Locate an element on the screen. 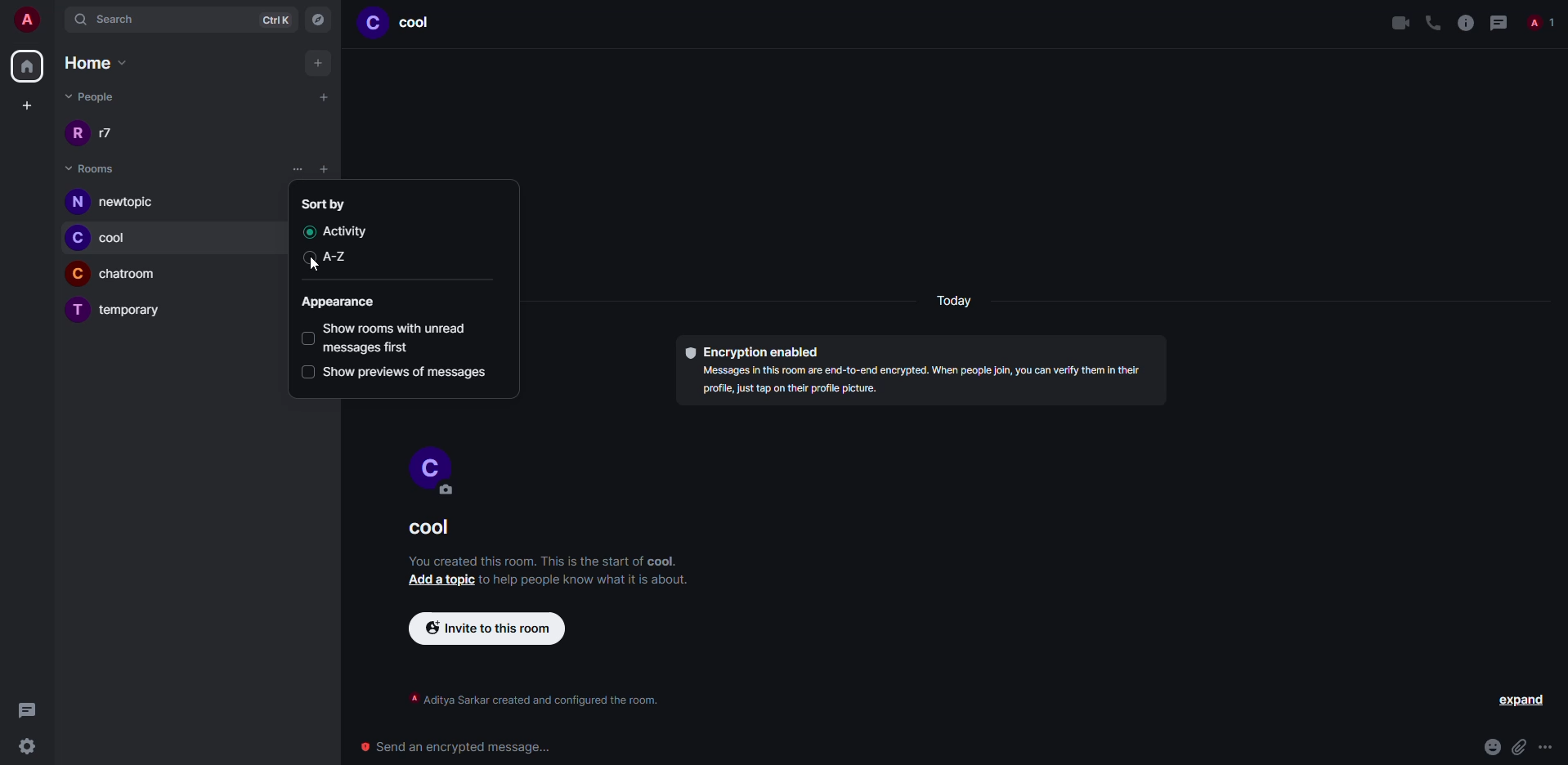  add a topic is located at coordinates (441, 579).